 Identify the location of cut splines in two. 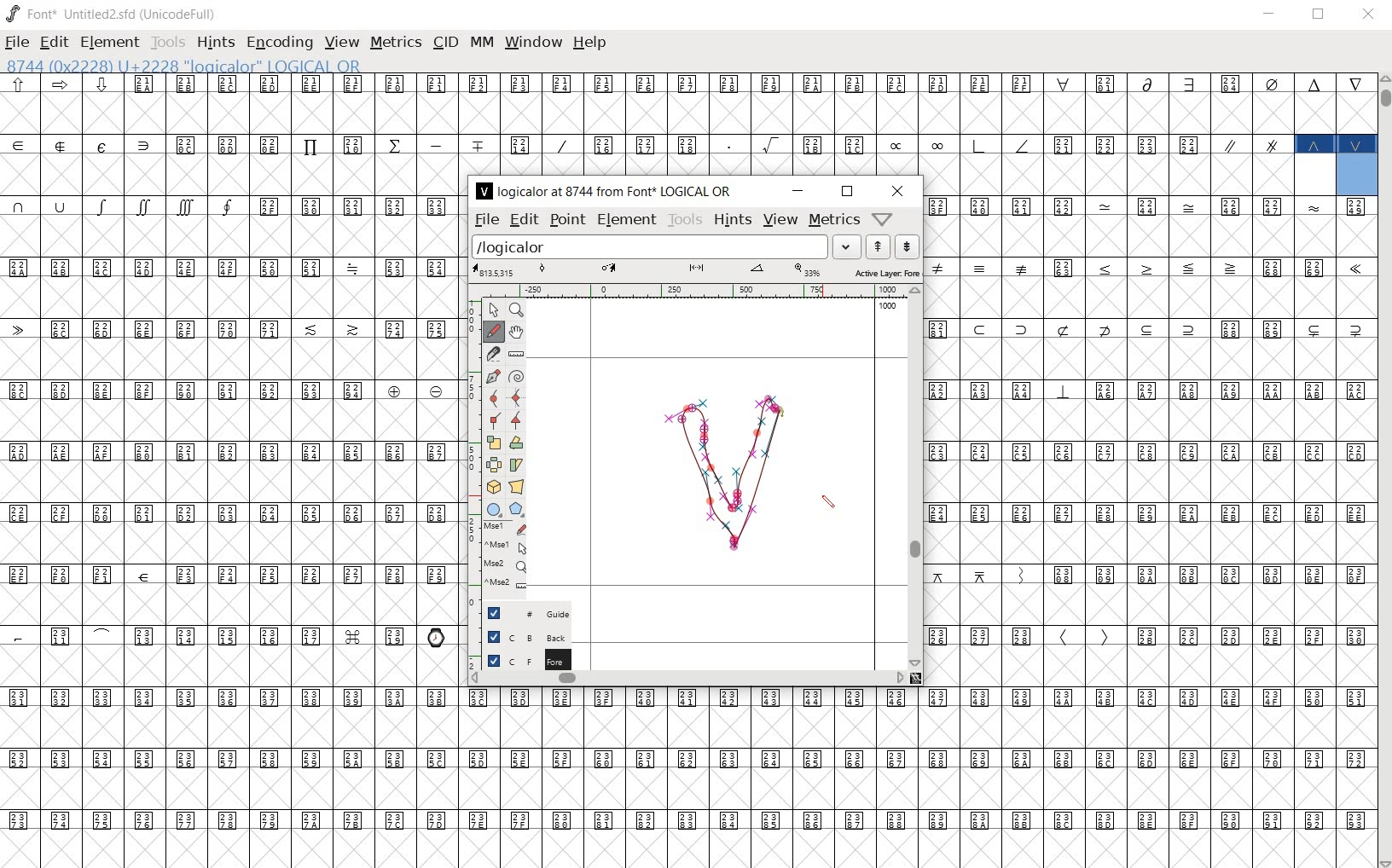
(491, 353).